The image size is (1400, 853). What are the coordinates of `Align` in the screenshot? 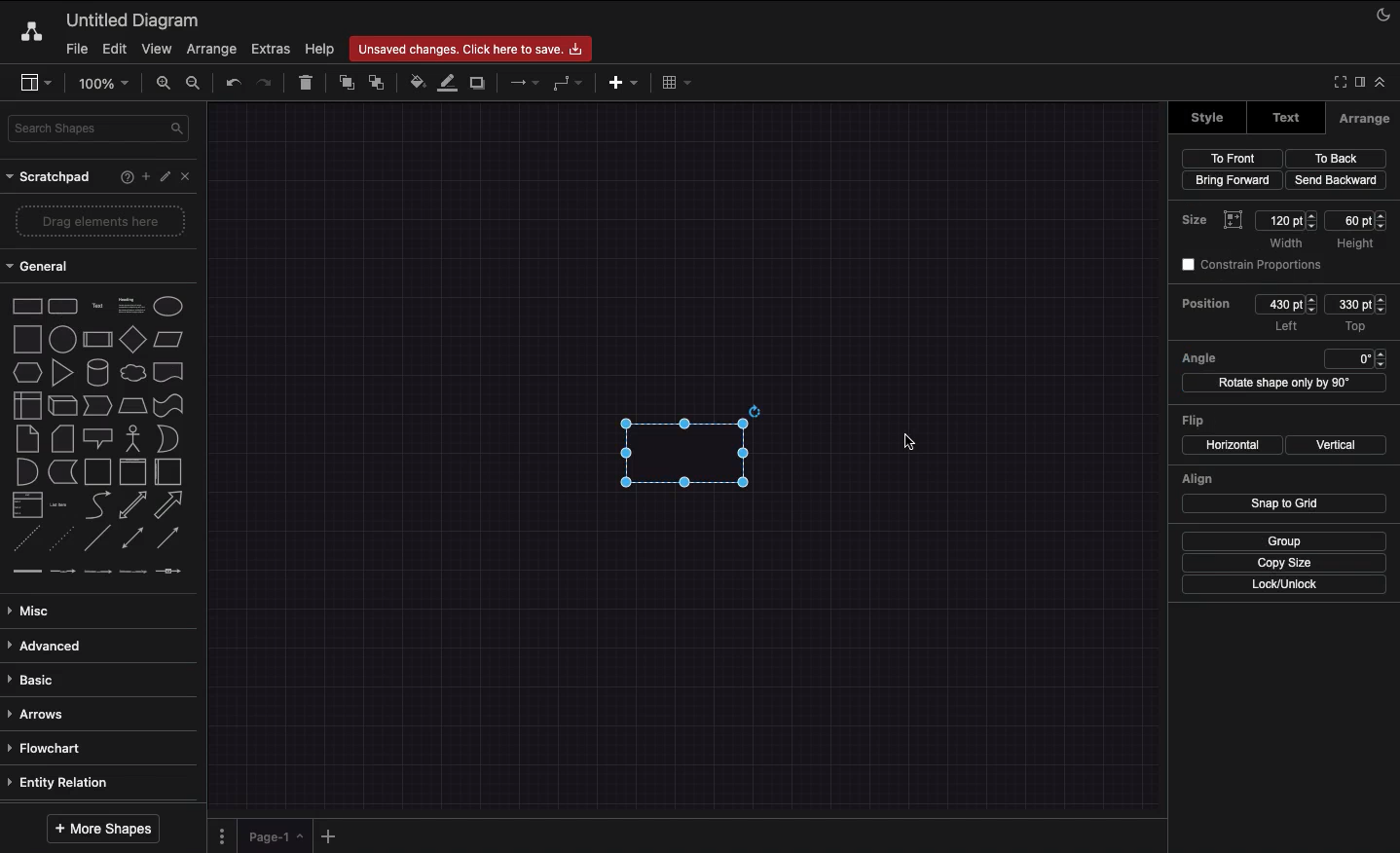 It's located at (1197, 478).